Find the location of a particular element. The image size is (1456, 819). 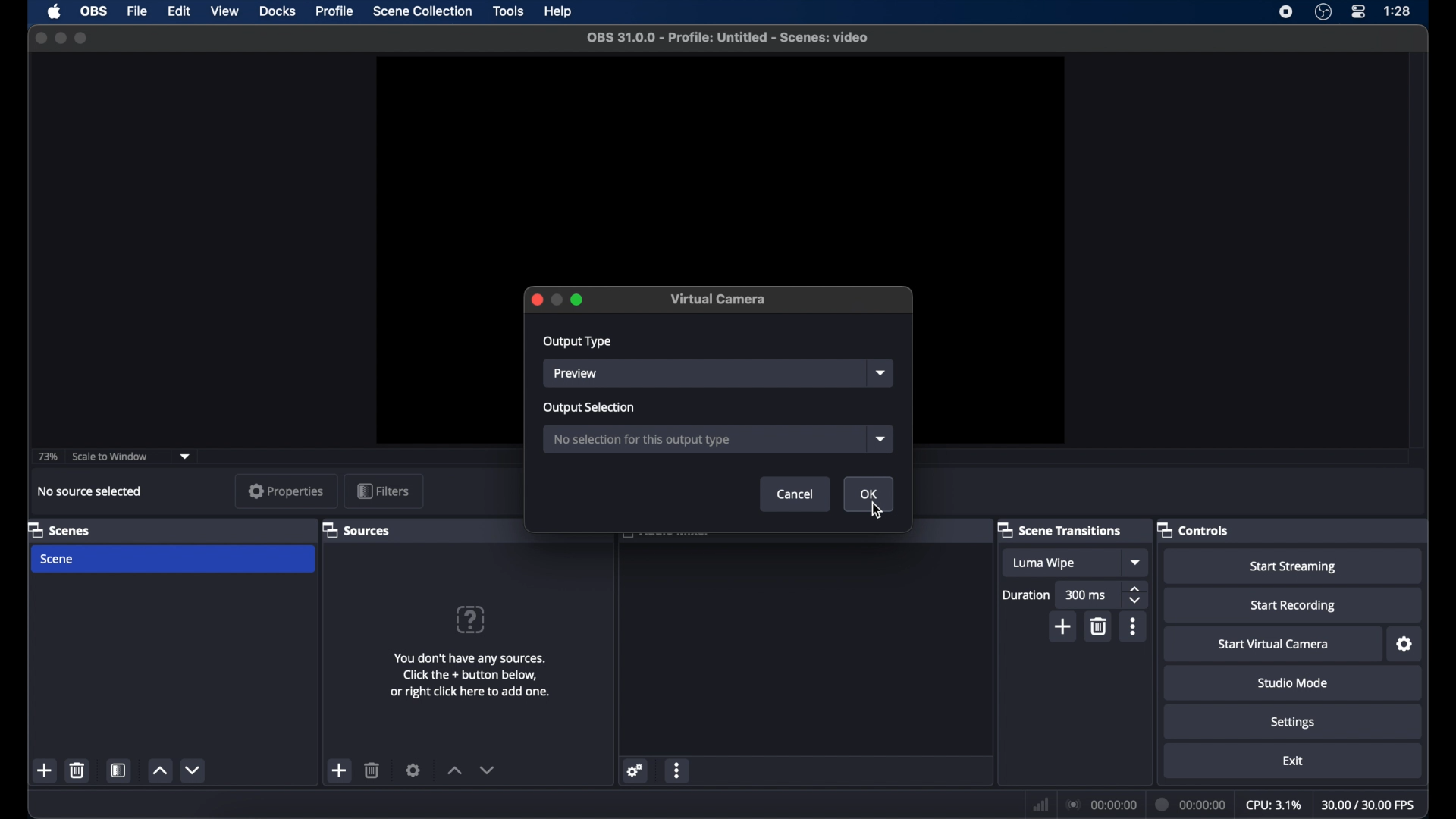

300 ms is located at coordinates (1087, 595).